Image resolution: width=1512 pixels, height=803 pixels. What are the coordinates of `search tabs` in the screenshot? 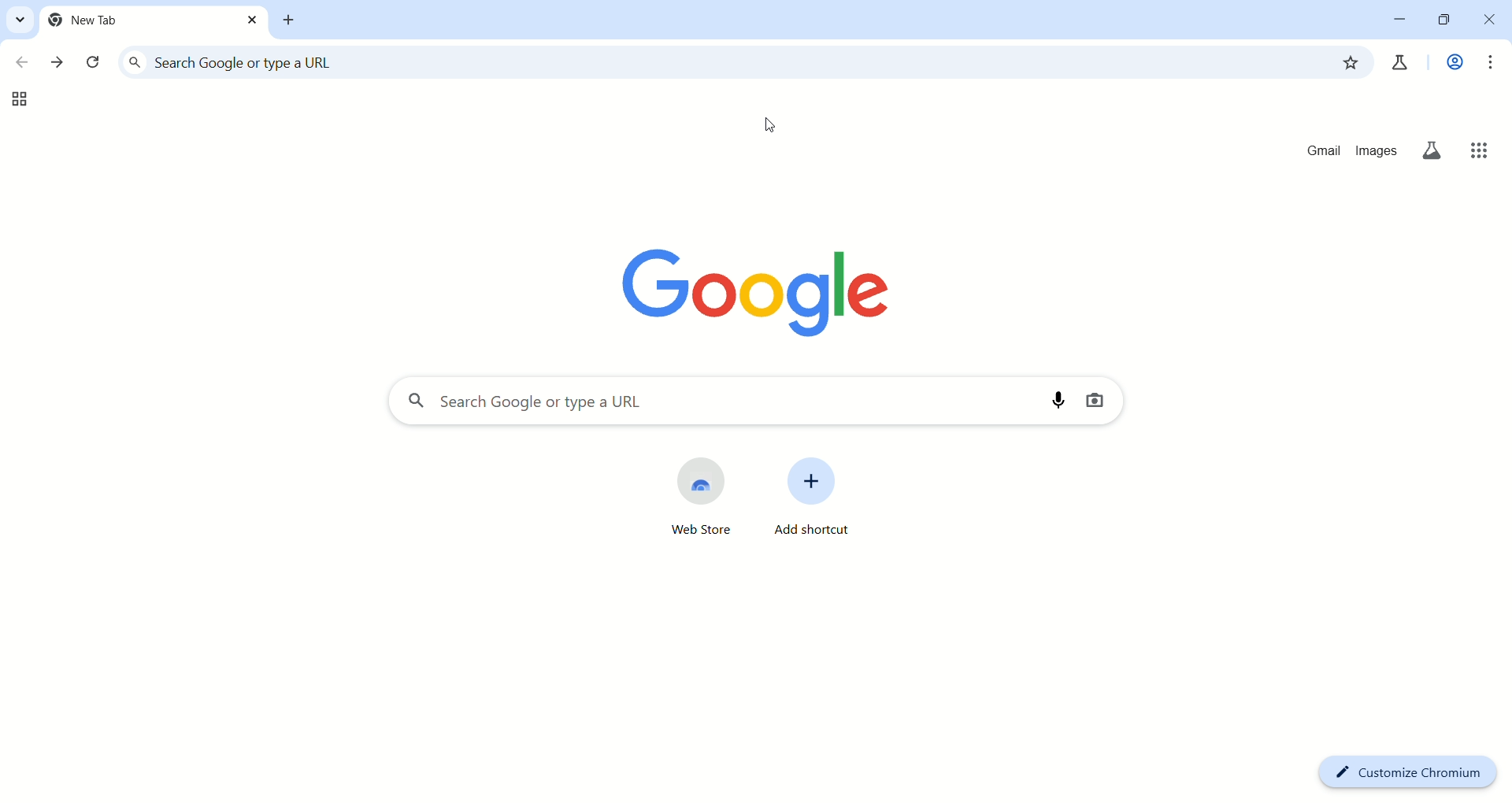 It's located at (18, 19).